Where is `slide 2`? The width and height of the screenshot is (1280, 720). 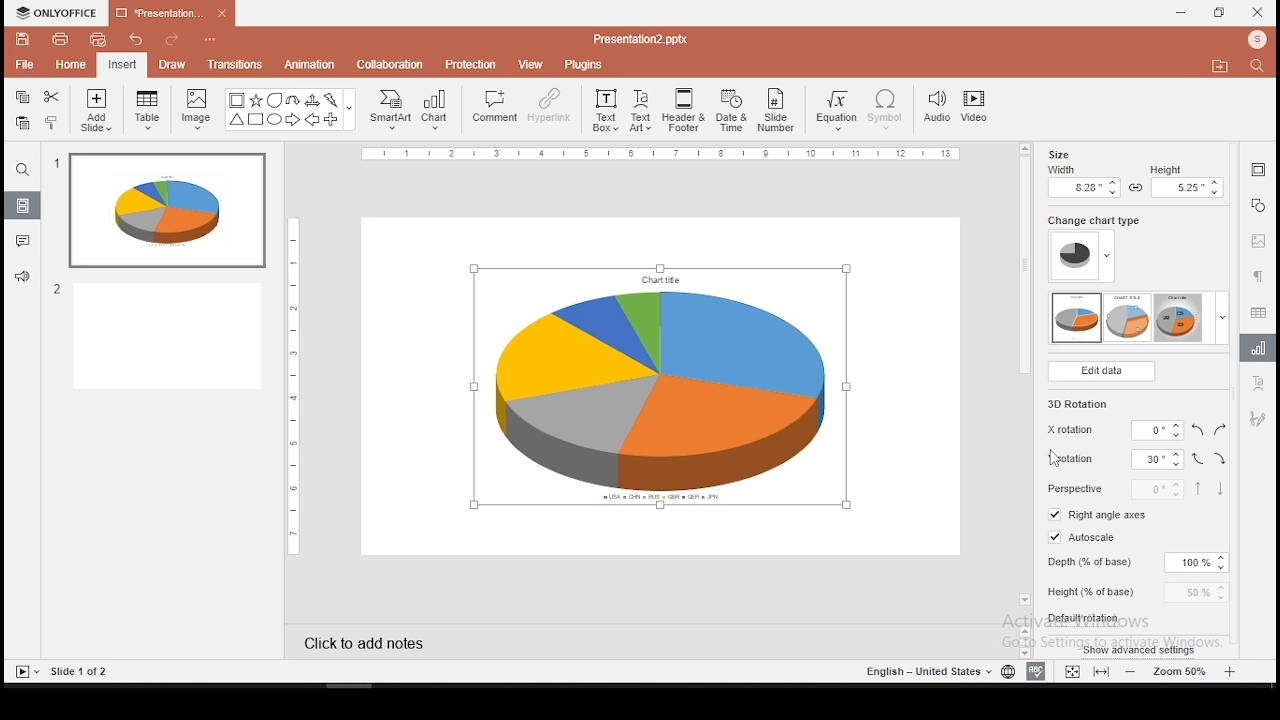 slide 2 is located at coordinates (162, 337).